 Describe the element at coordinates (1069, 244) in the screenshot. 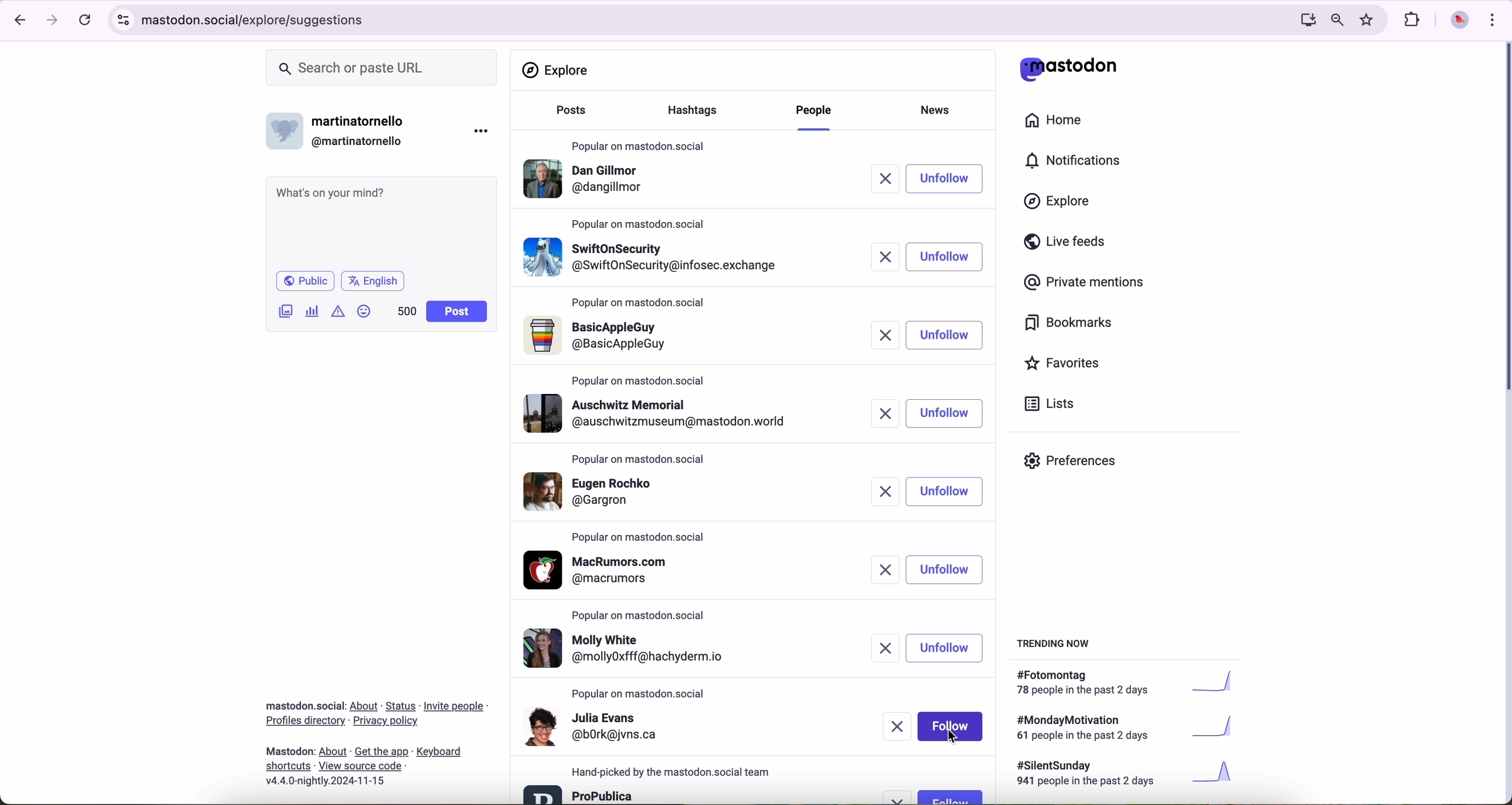

I see `live feeds` at that location.